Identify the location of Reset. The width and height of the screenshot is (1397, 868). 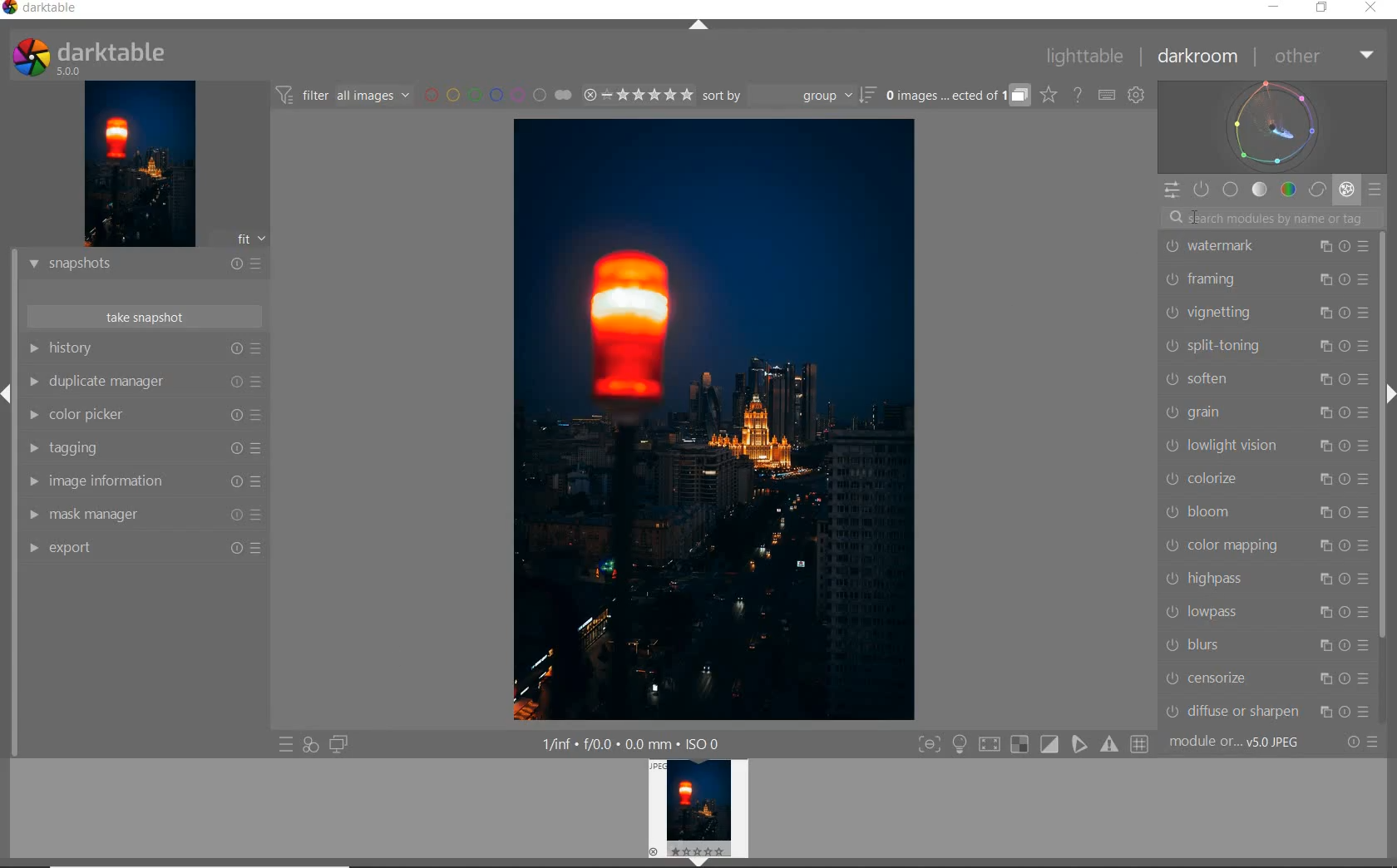
(1345, 311).